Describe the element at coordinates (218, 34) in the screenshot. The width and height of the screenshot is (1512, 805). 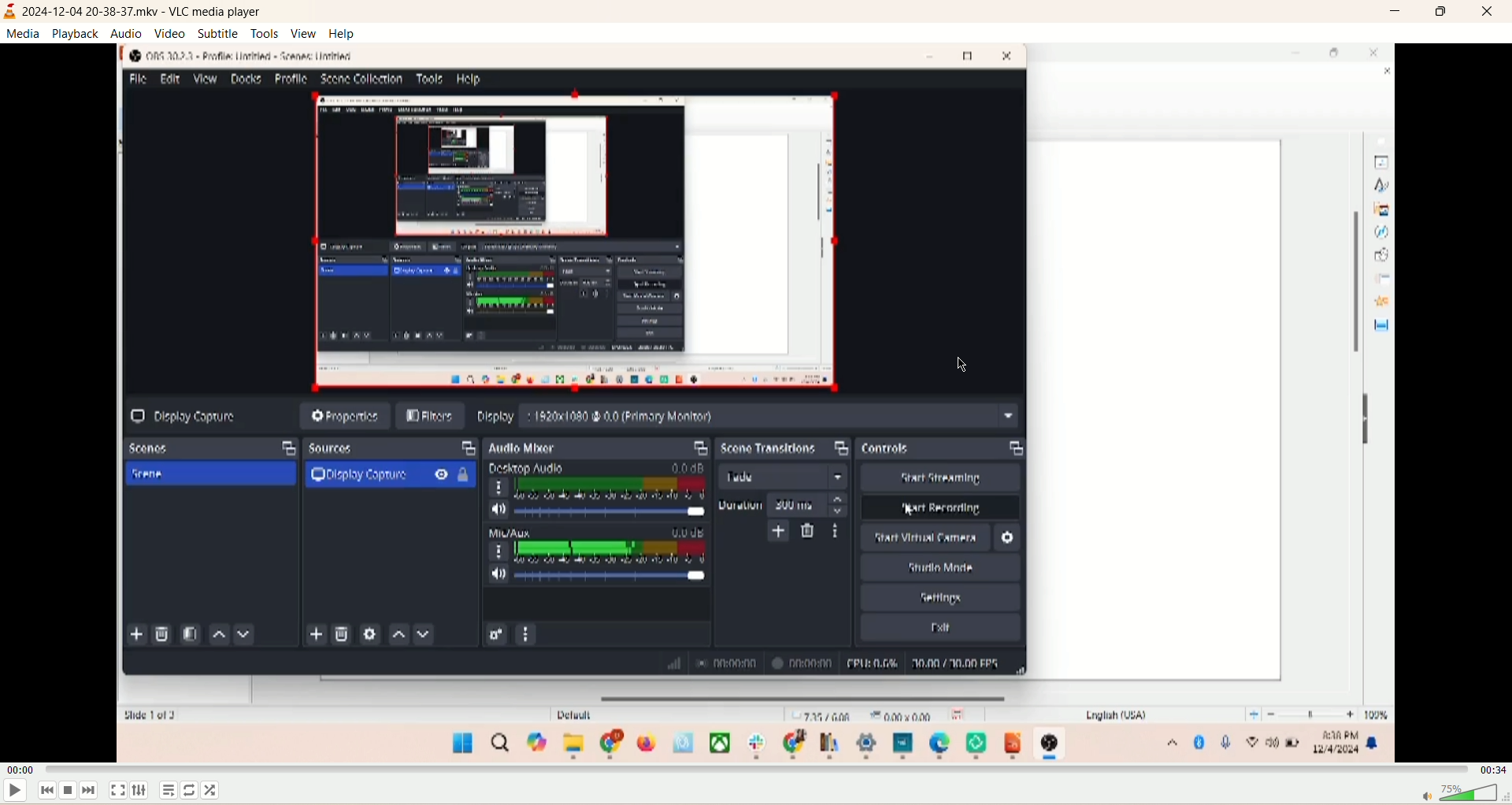
I see `subtitle` at that location.